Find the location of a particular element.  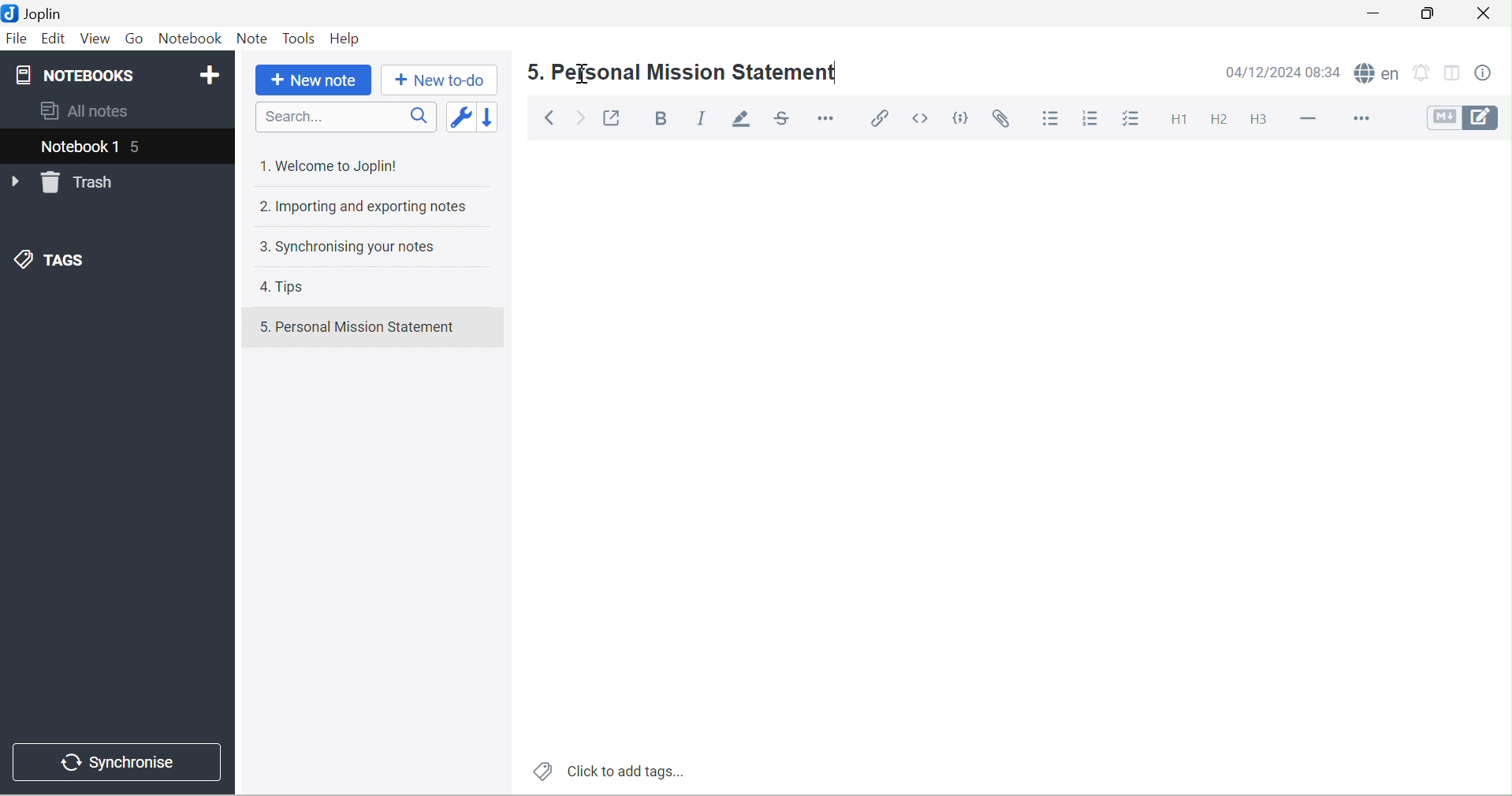

Spell checker is located at coordinates (1375, 73).